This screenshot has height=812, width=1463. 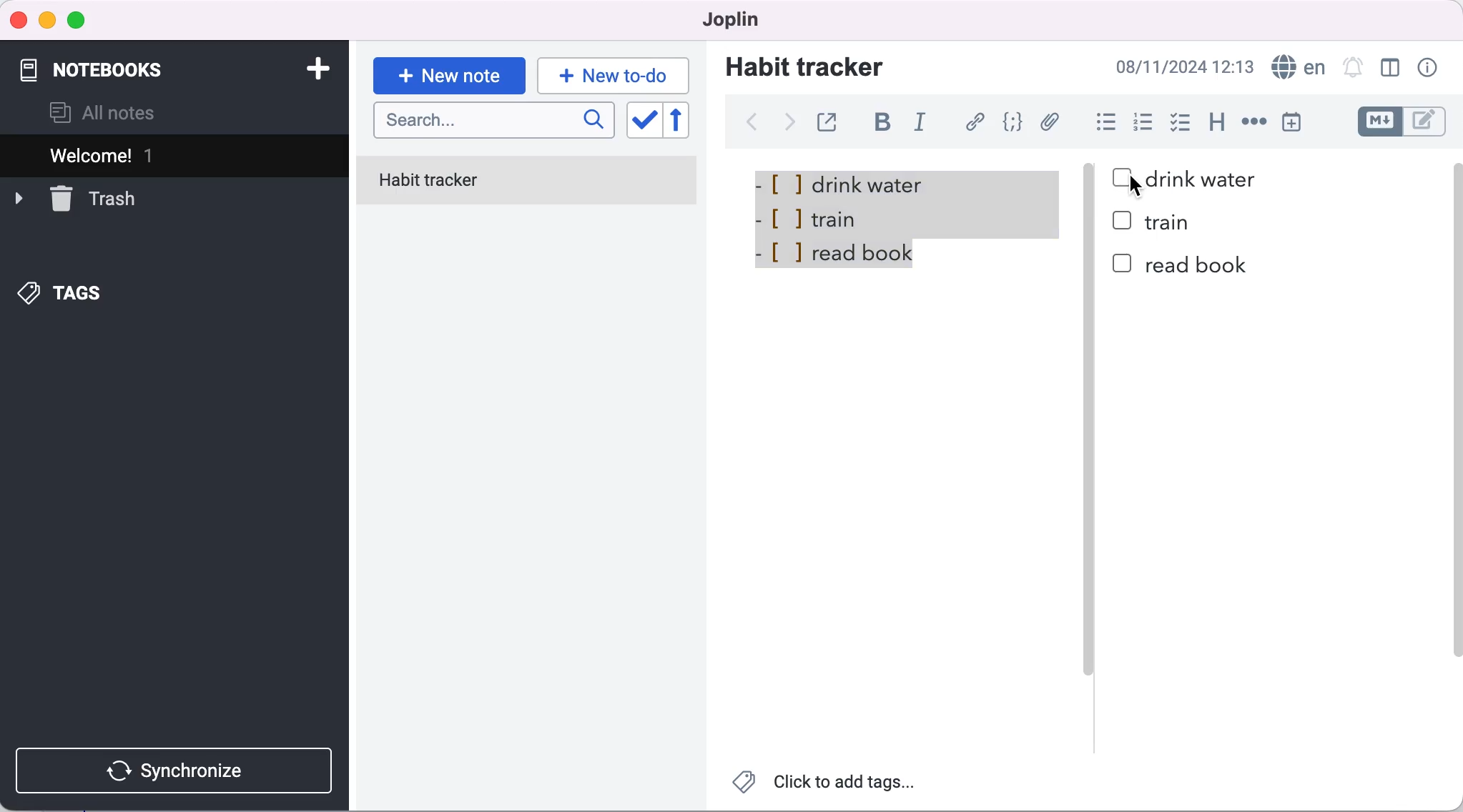 What do you see at coordinates (686, 121) in the screenshot?
I see `reverse sort order` at bounding box center [686, 121].